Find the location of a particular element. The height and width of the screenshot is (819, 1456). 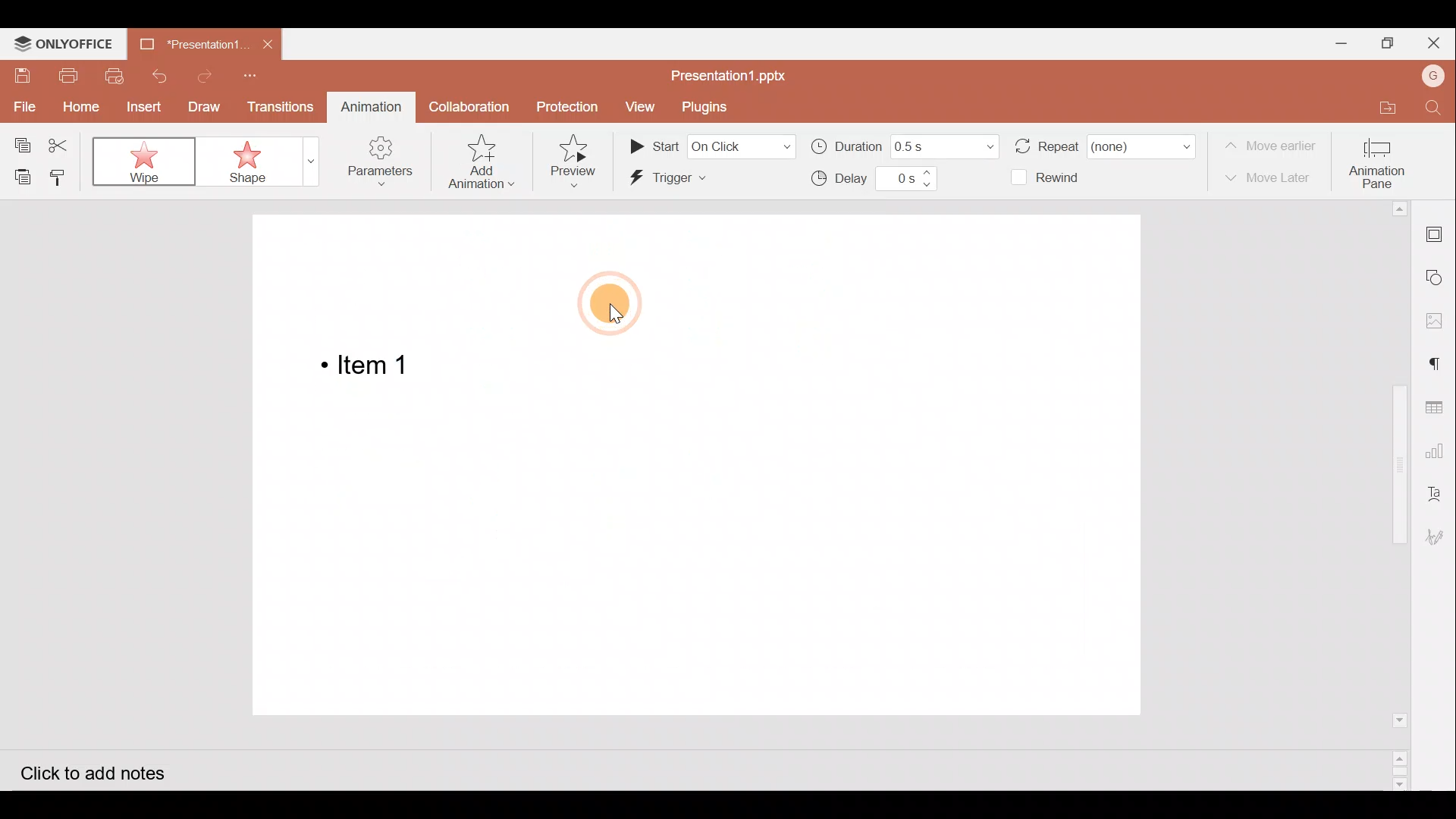

Table settings is located at coordinates (1439, 407).